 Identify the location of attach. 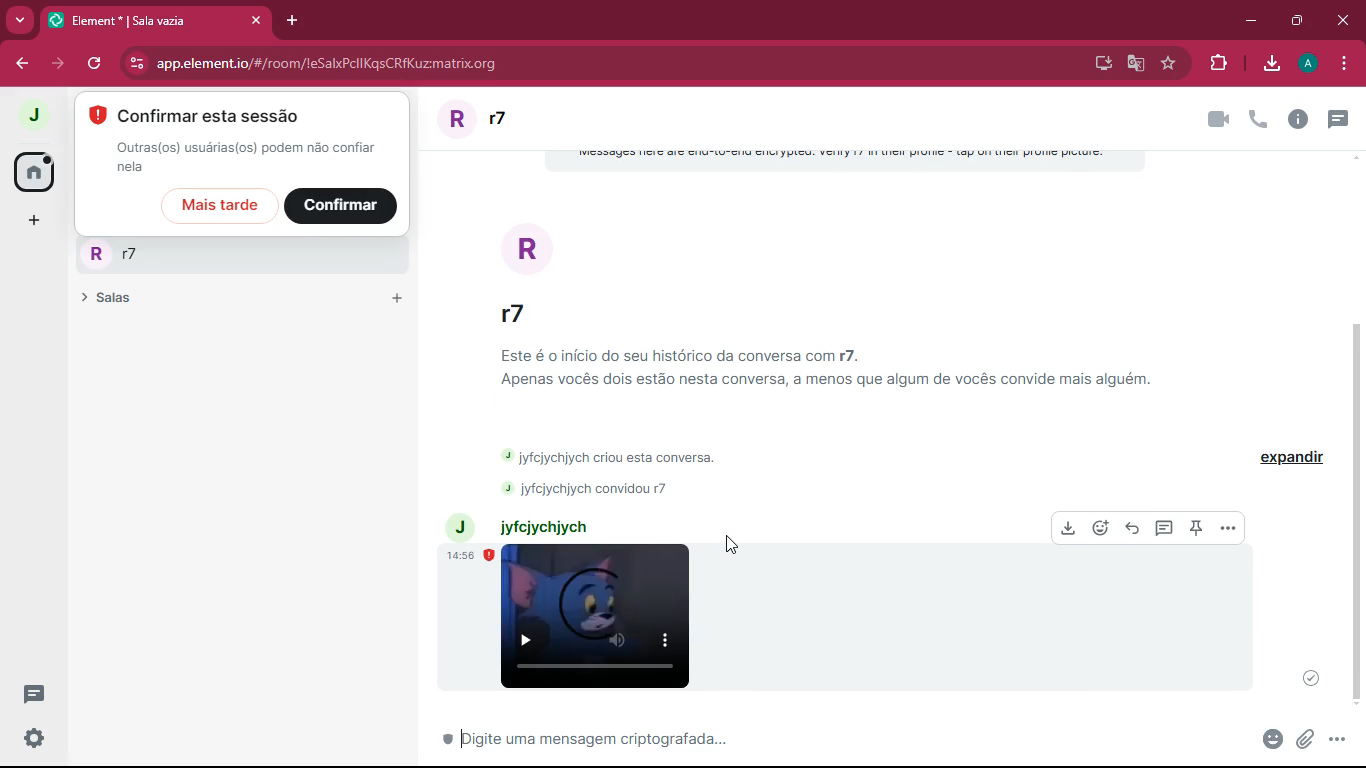
(1302, 743).